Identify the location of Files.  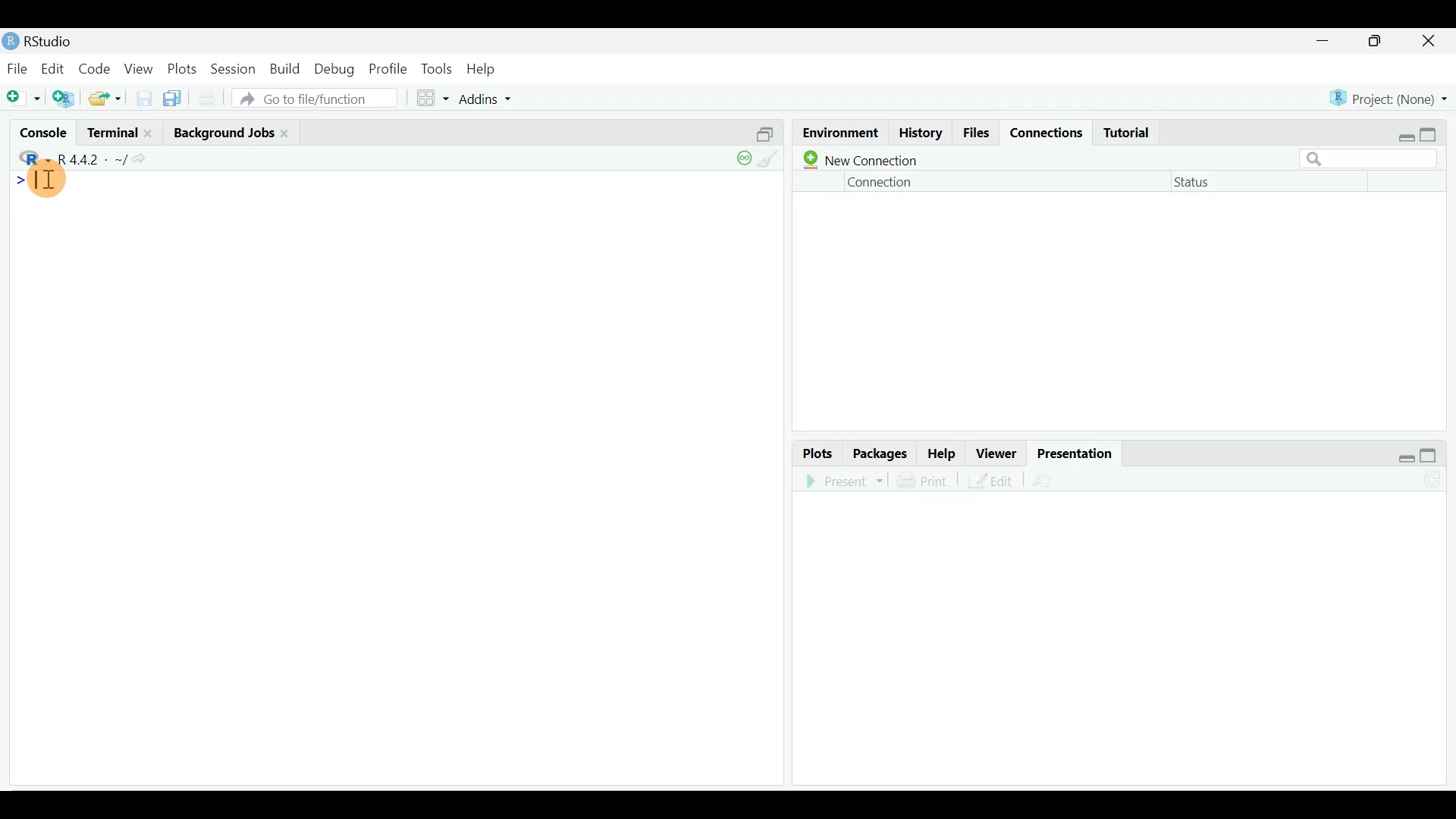
(974, 131).